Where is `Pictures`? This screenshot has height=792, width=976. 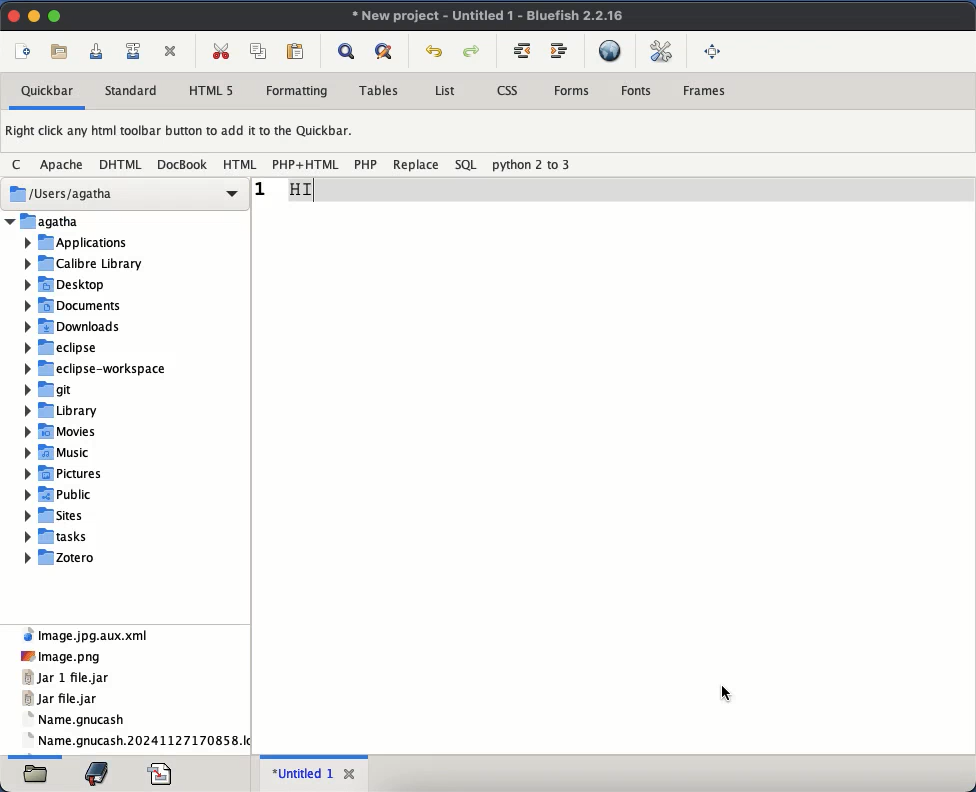
Pictures is located at coordinates (63, 473).